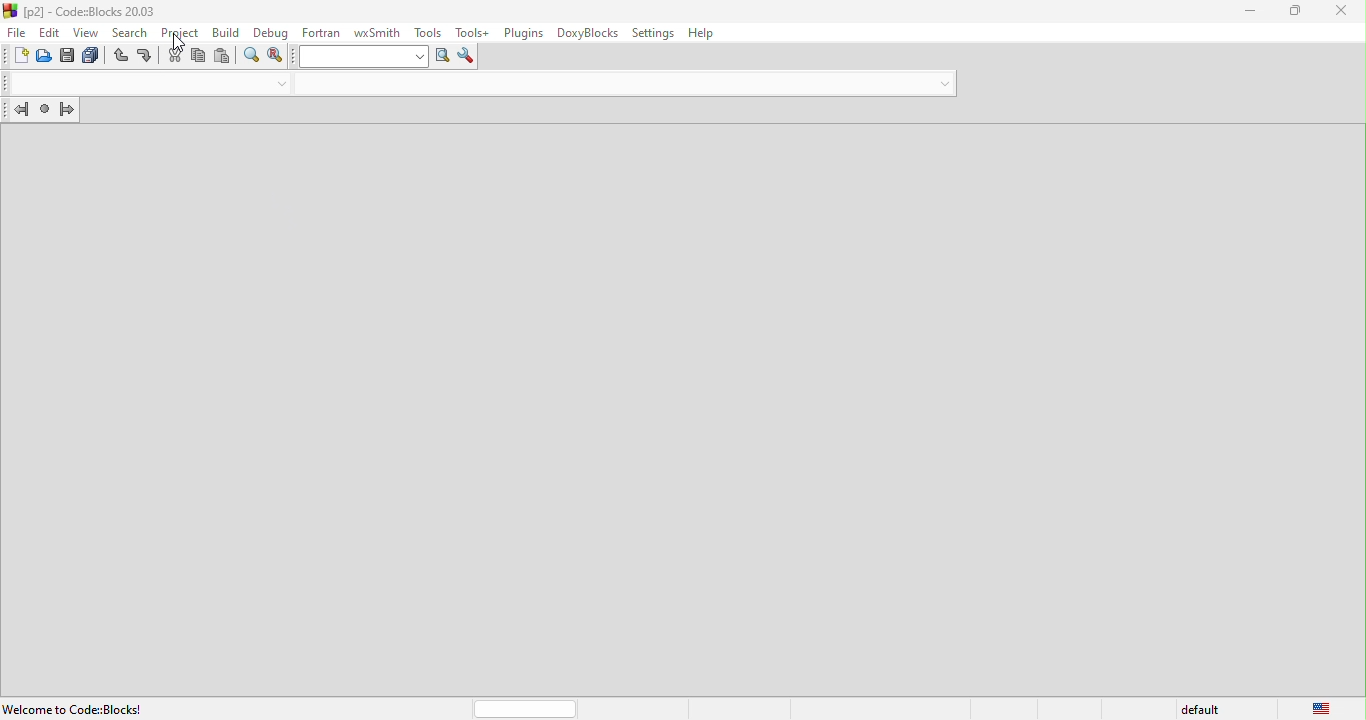 The height and width of the screenshot is (720, 1366). I want to click on copy, so click(199, 59).